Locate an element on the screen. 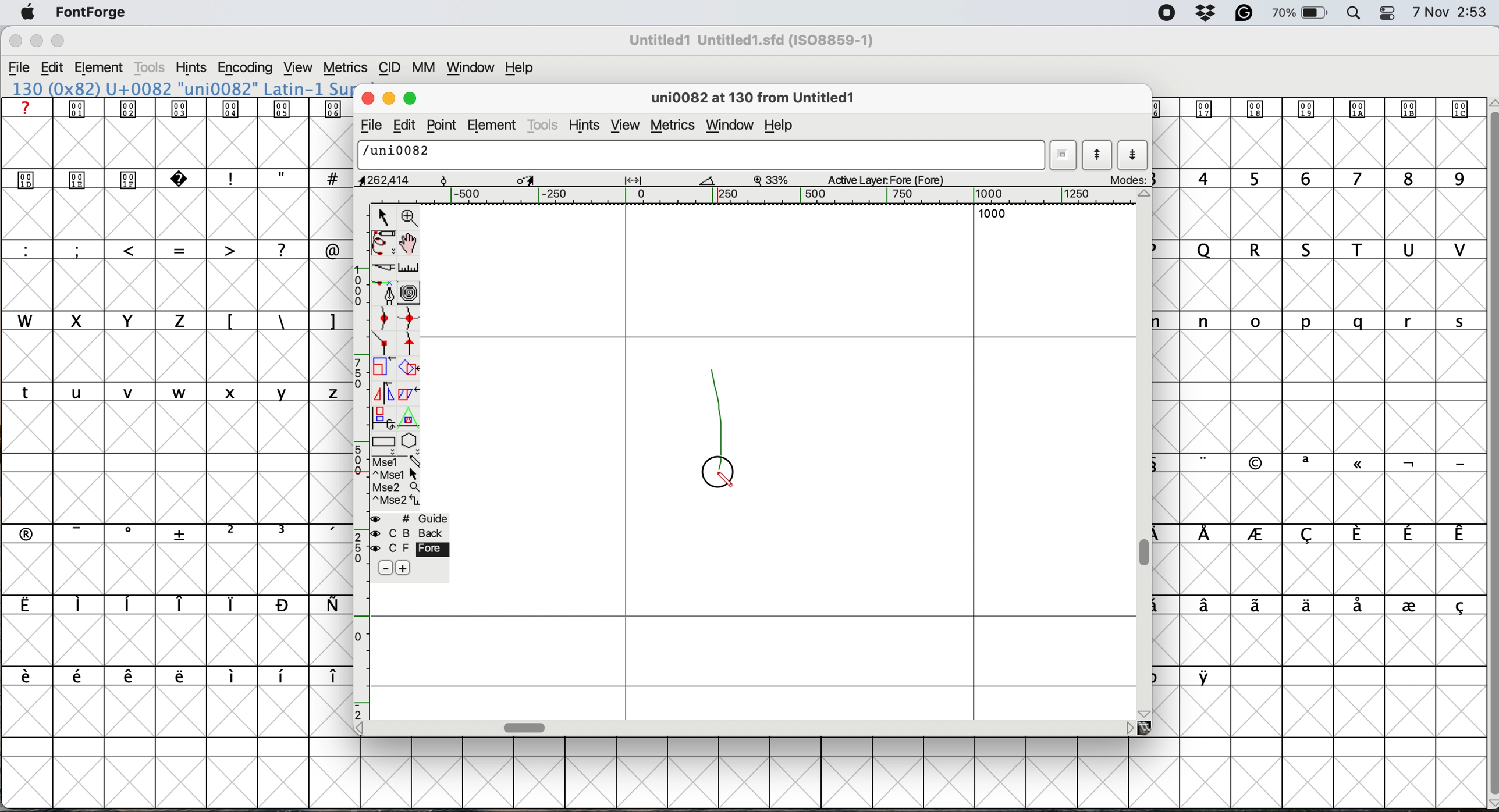  cursor is located at coordinates (715, 473).